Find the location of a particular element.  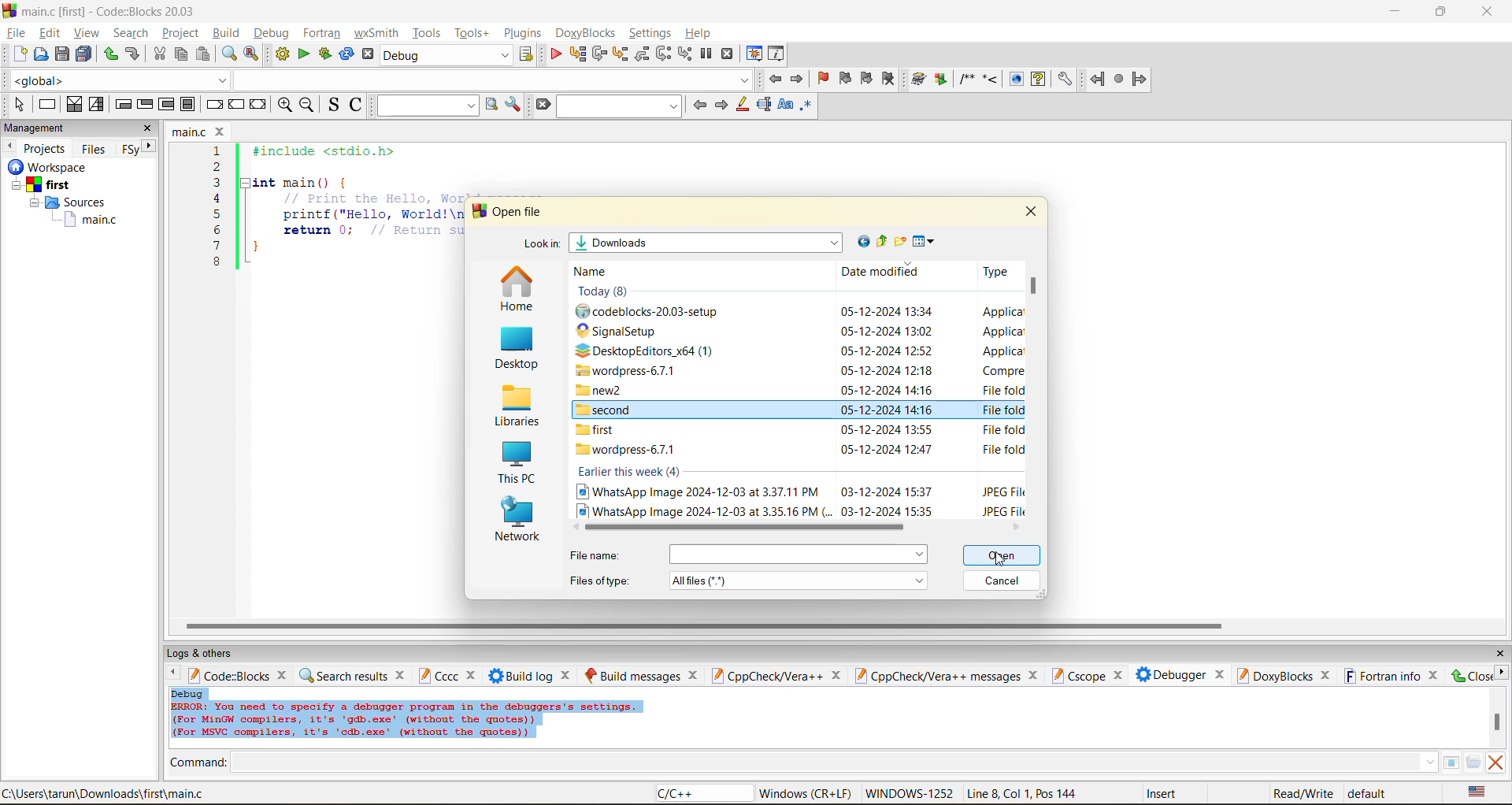

create new folder is located at coordinates (902, 241).